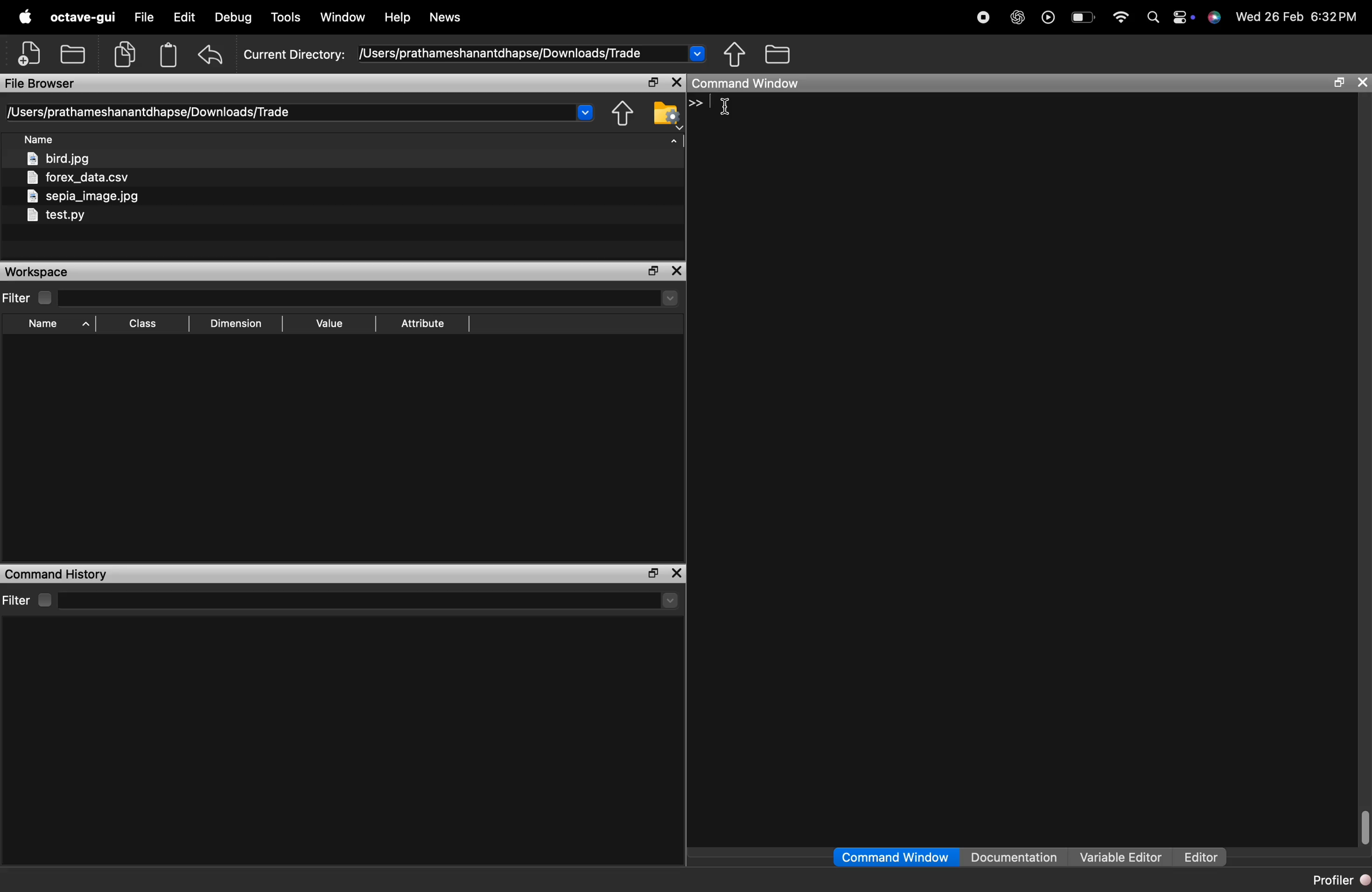  Describe the element at coordinates (86, 188) in the screenshot. I see `files` at that location.